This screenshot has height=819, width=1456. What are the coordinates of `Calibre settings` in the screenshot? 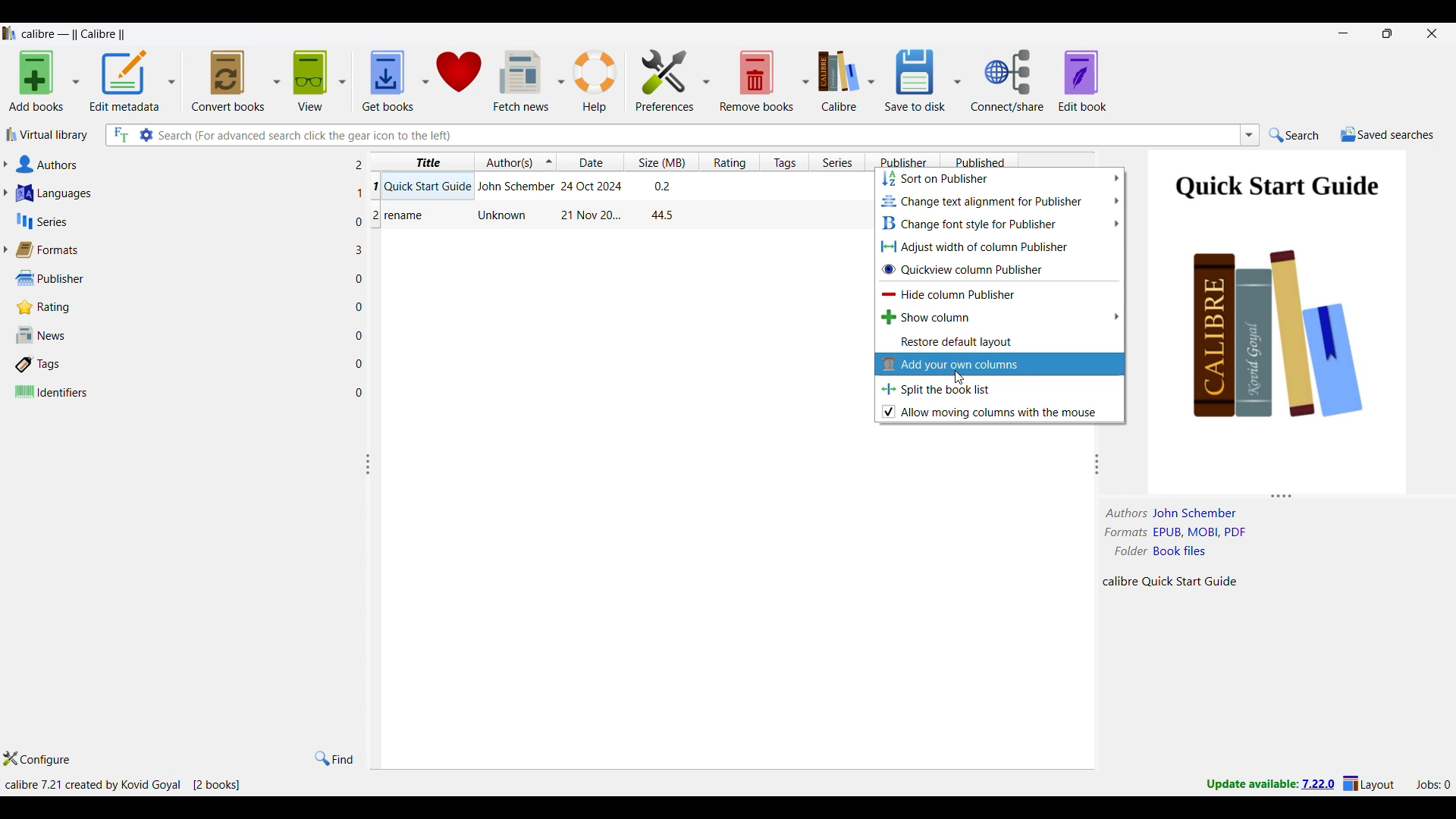 It's located at (846, 80).